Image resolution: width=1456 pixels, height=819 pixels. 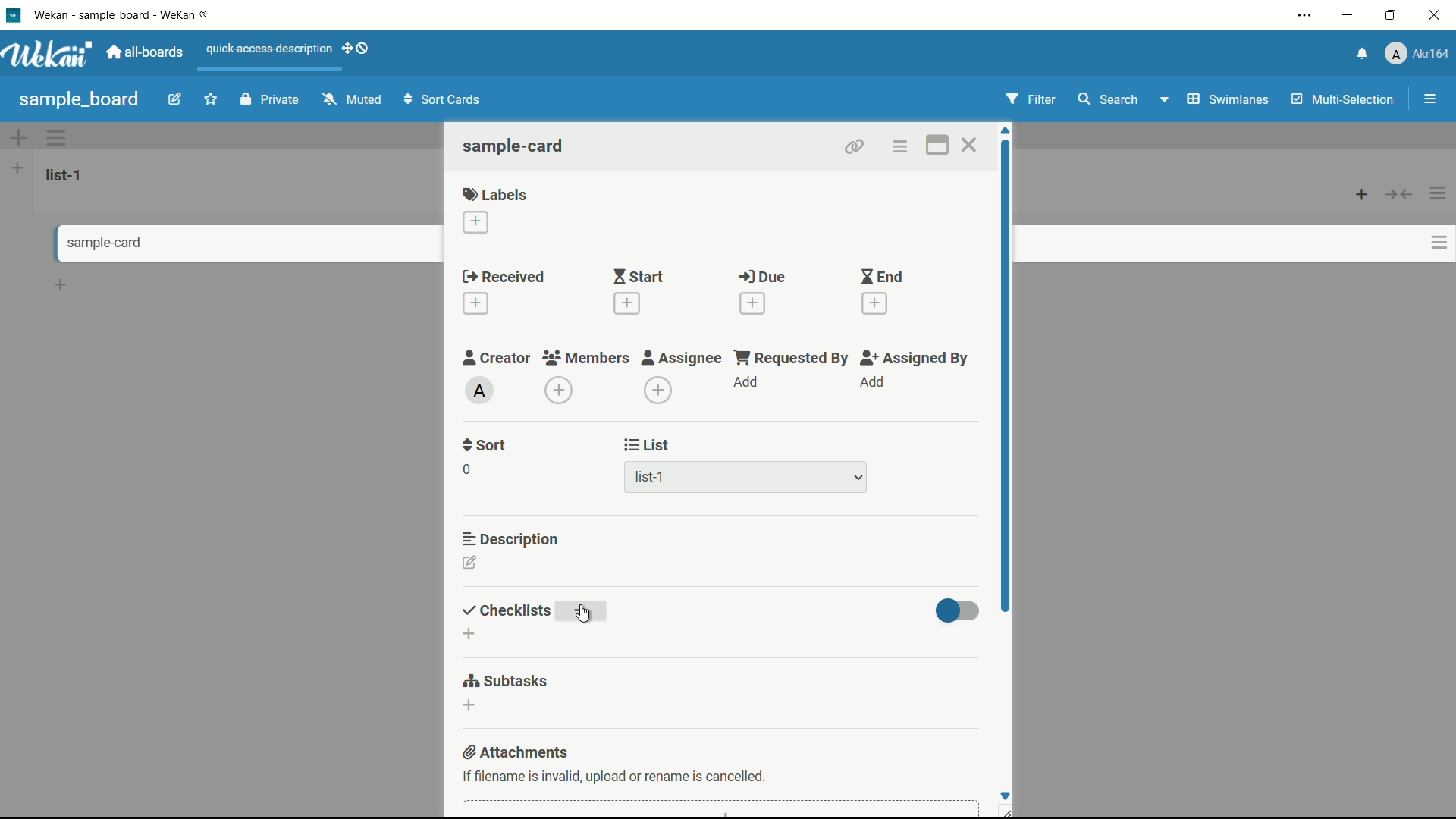 What do you see at coordinates (504, 278) in the screenshot?
I see `received` at bounding box center [504, 278].